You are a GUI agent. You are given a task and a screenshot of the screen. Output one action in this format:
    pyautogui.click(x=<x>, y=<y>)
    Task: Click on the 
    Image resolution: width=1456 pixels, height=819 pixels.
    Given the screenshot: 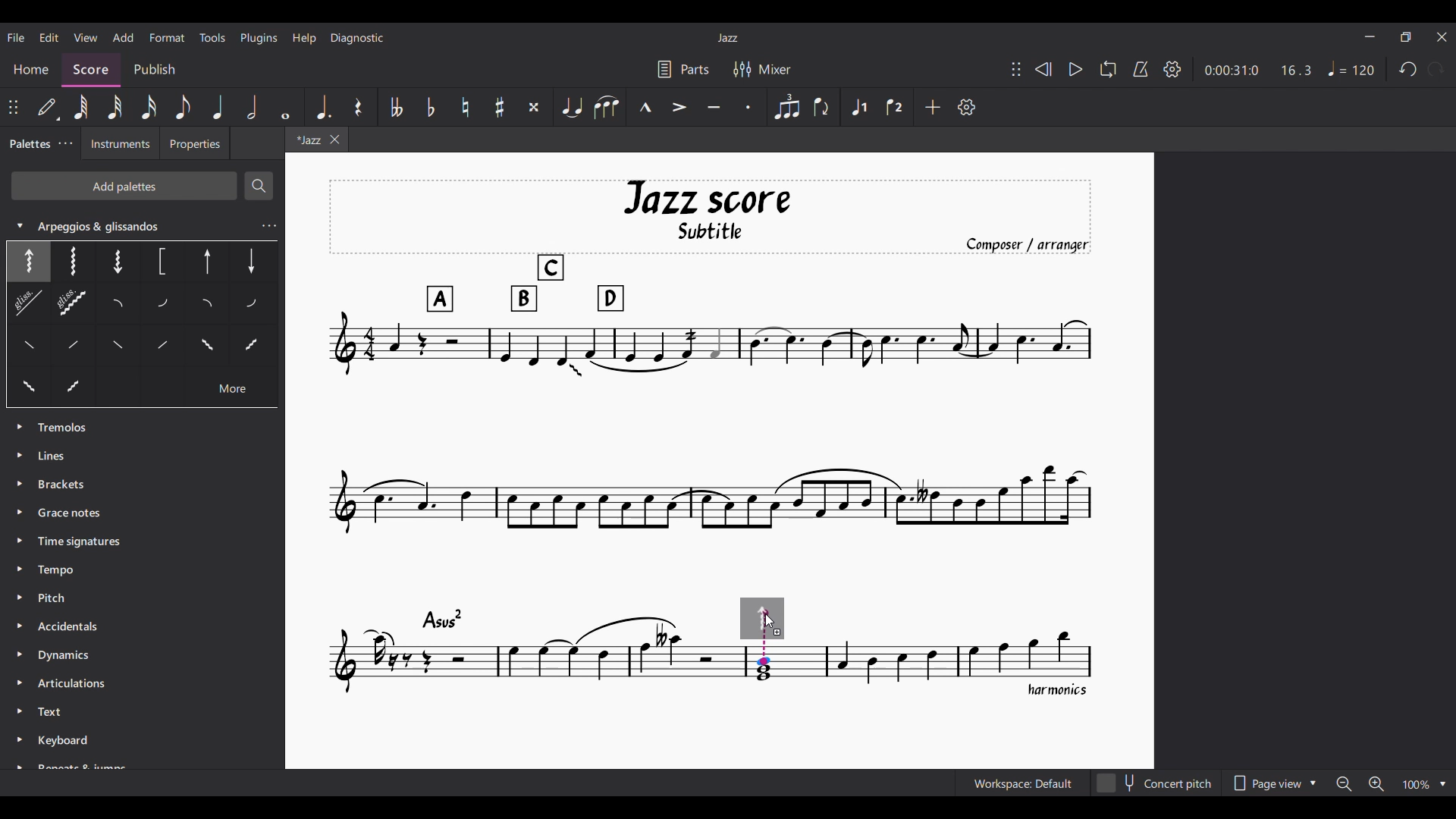 What is the action you would take?
    pyautogui.click(x=205, y=306)
    